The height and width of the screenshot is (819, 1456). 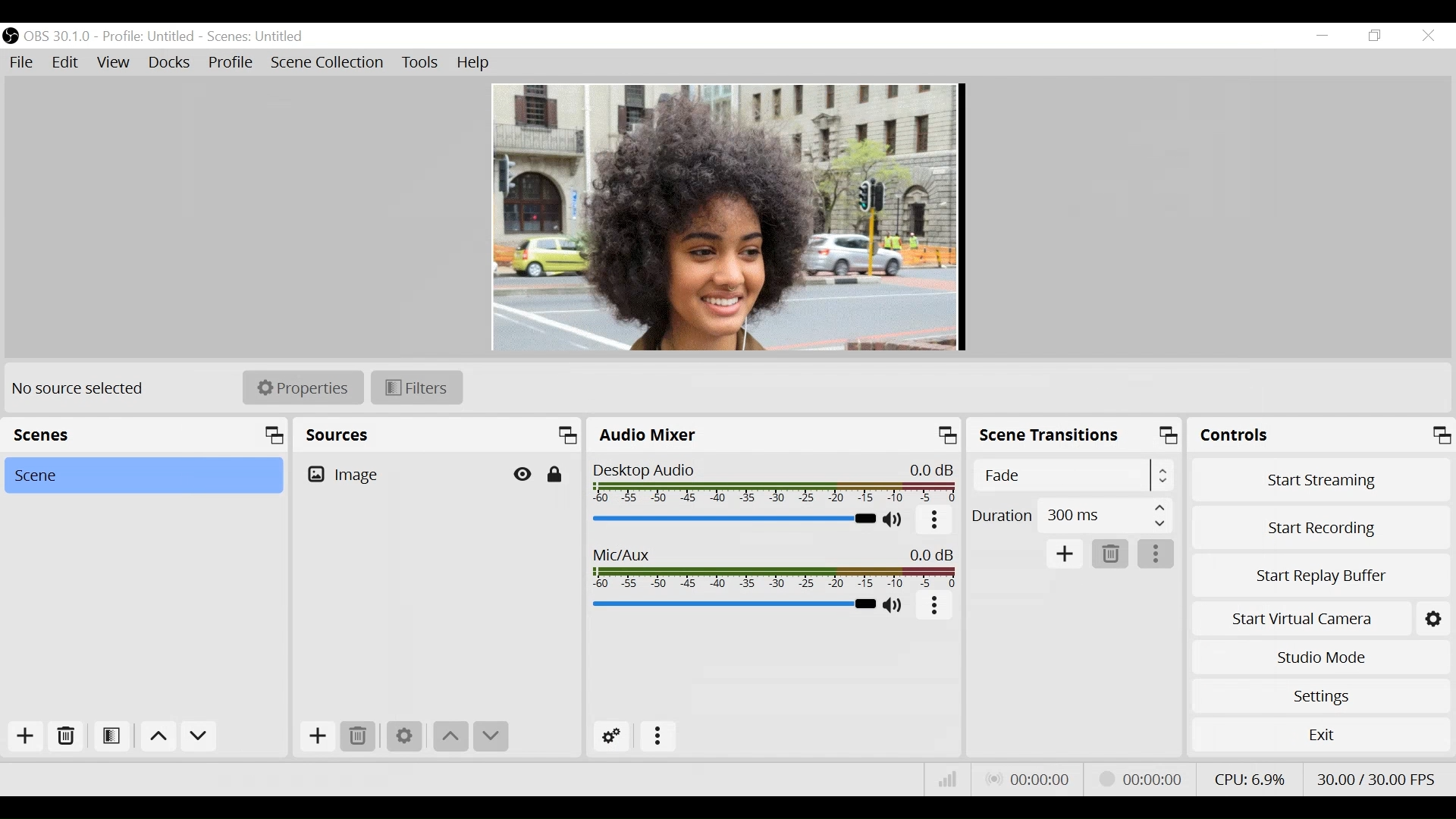 What do you see at coordinates (416, 389) in the screenshot?
I see `Filter` at bounding box center [416, 389].